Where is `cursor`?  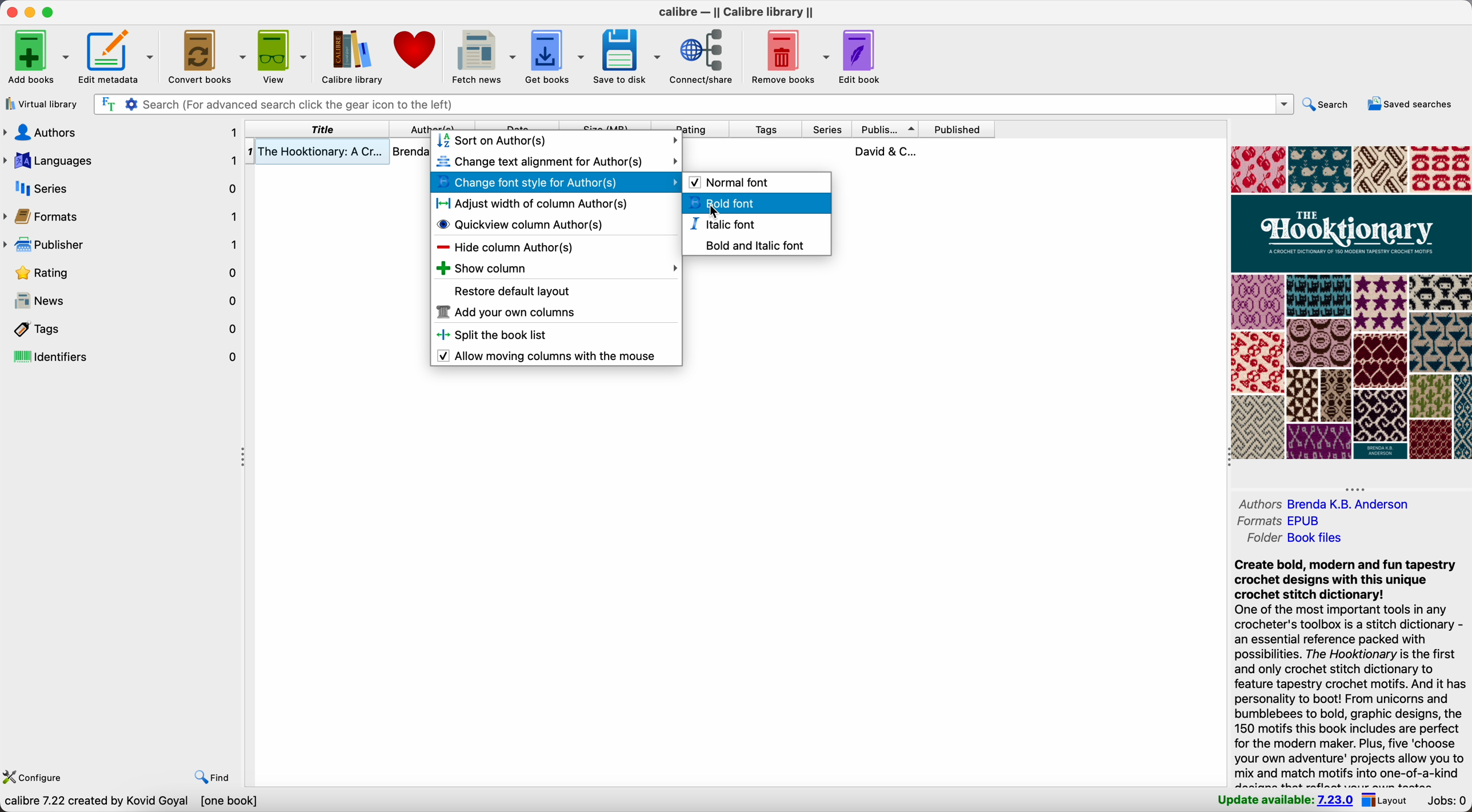
cursor is located at coordinates (711, 216).